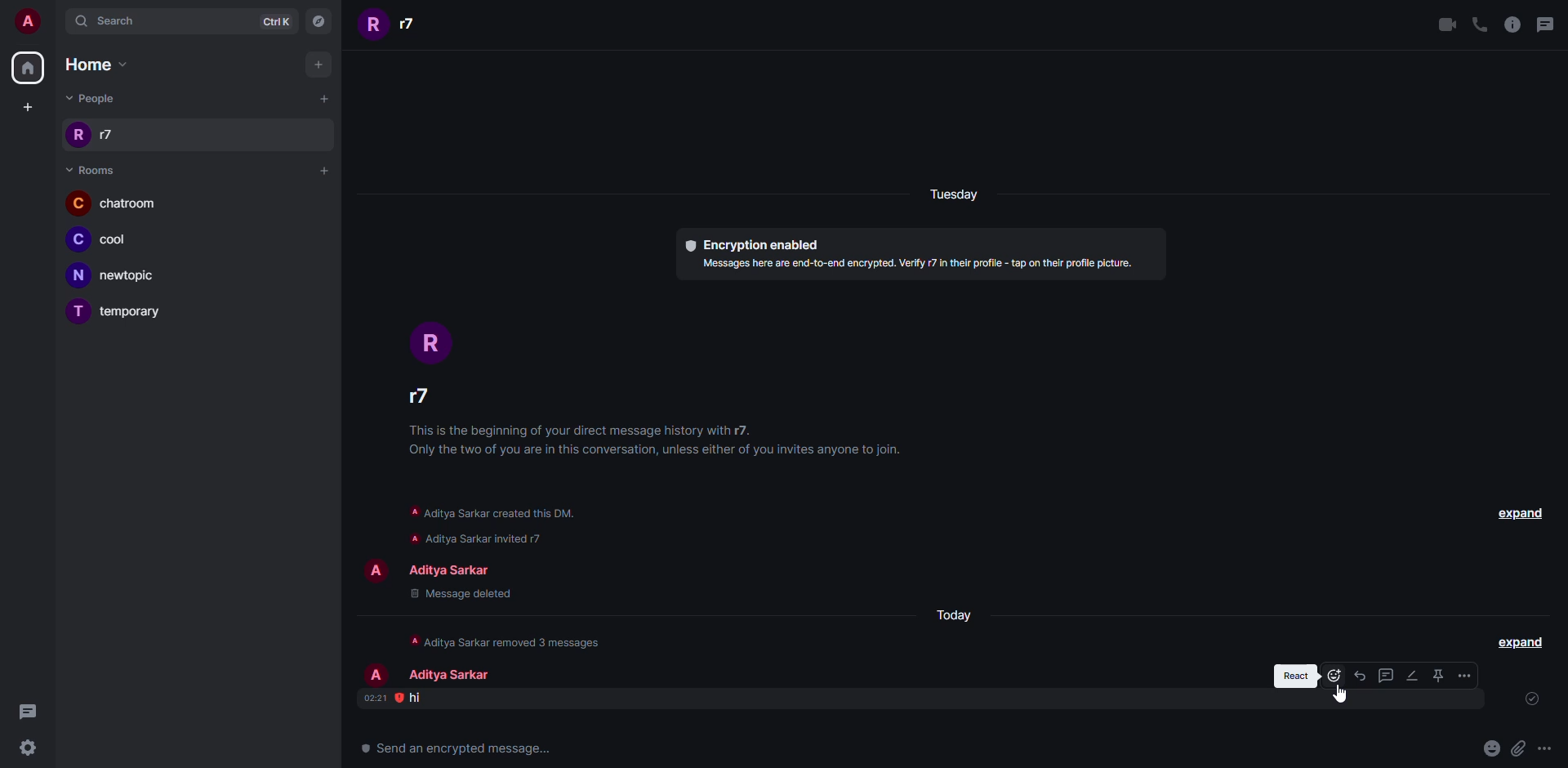  Describe the element at coordinates (1334, 676) in the screenshot. I see `react` at that location.